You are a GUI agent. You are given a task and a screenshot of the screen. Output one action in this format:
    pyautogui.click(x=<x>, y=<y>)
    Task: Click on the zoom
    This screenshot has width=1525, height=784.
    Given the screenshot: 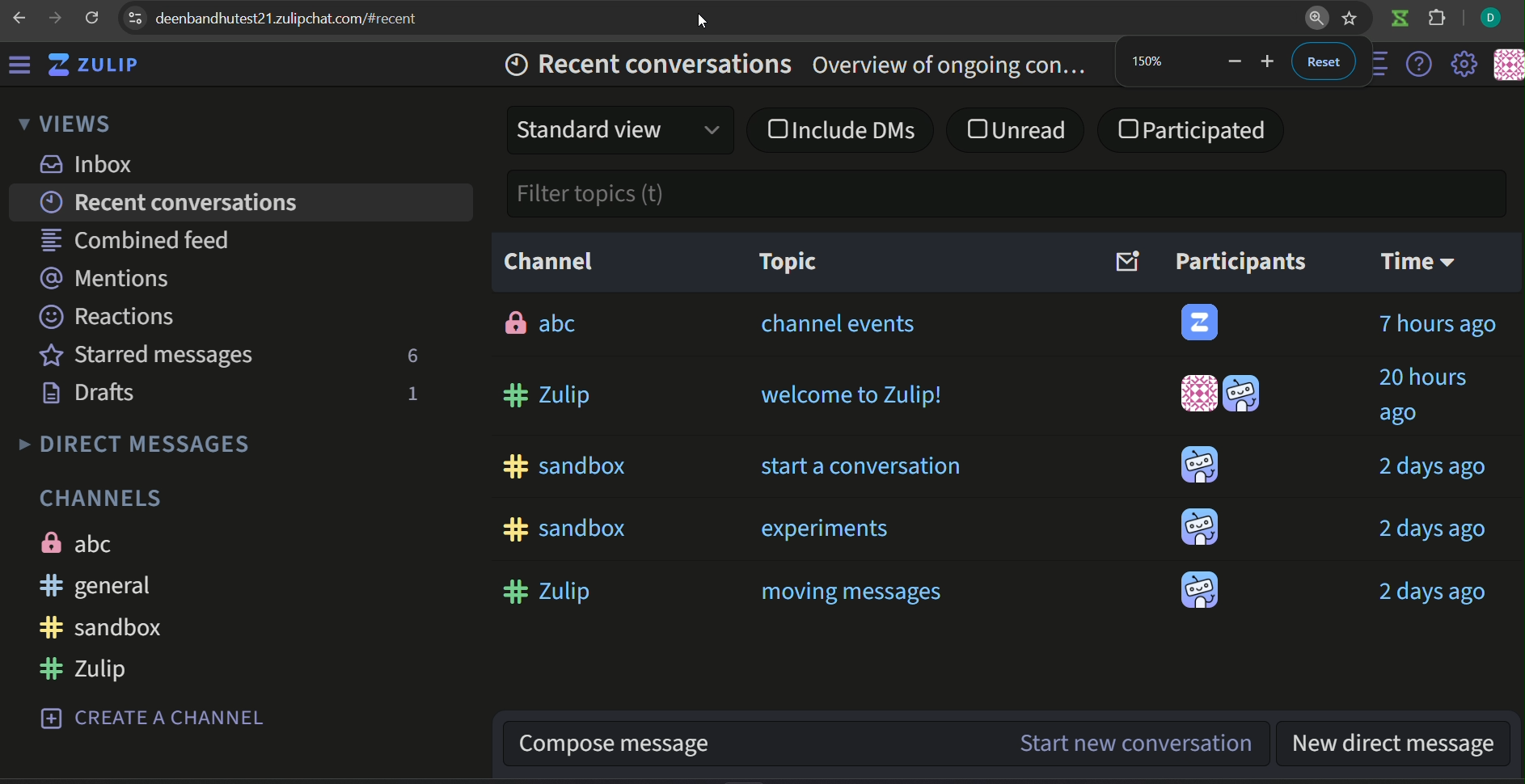 What is the action you would take?
    pyautogui.click(x=1313, y=20)
    